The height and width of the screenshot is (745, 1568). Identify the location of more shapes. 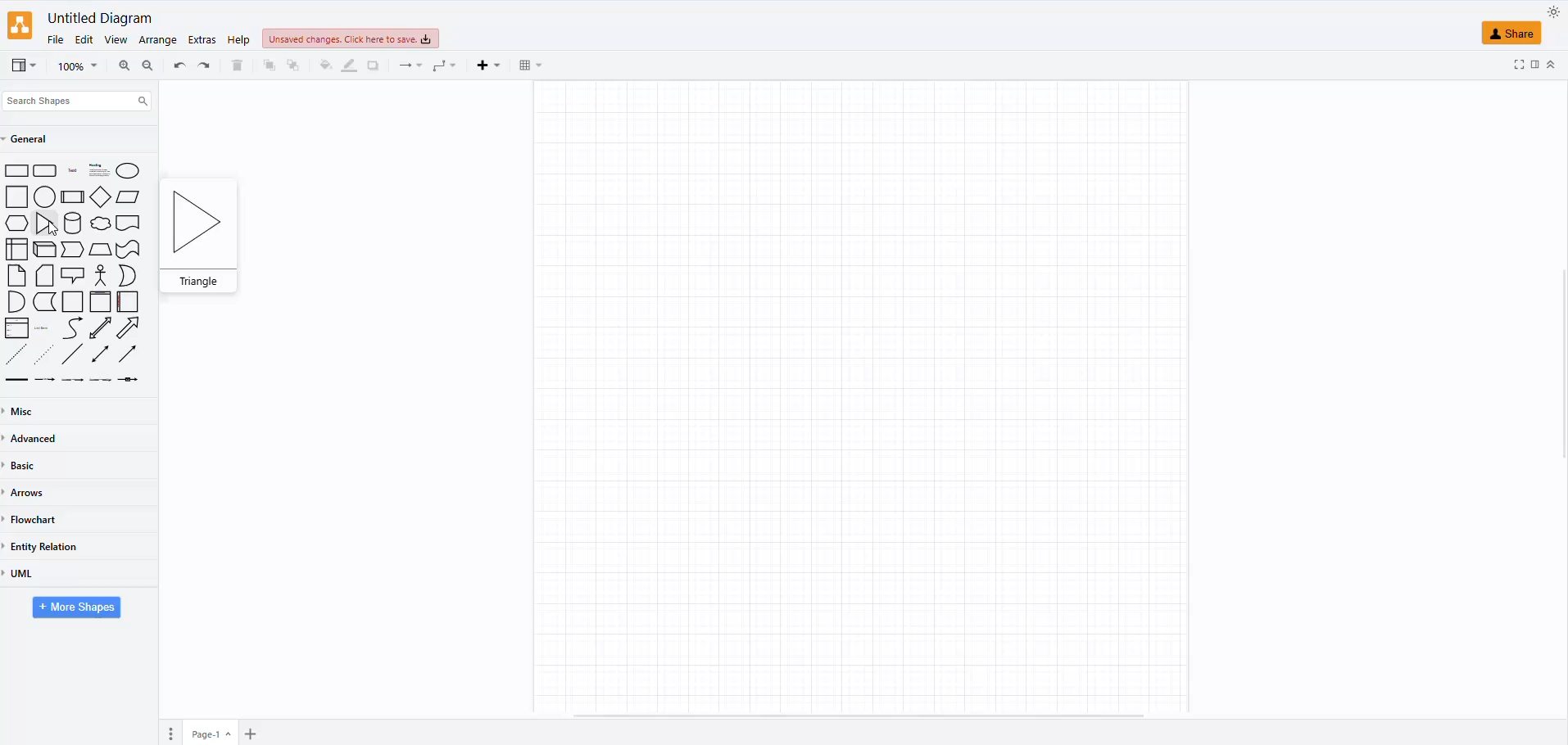
(78, 609).